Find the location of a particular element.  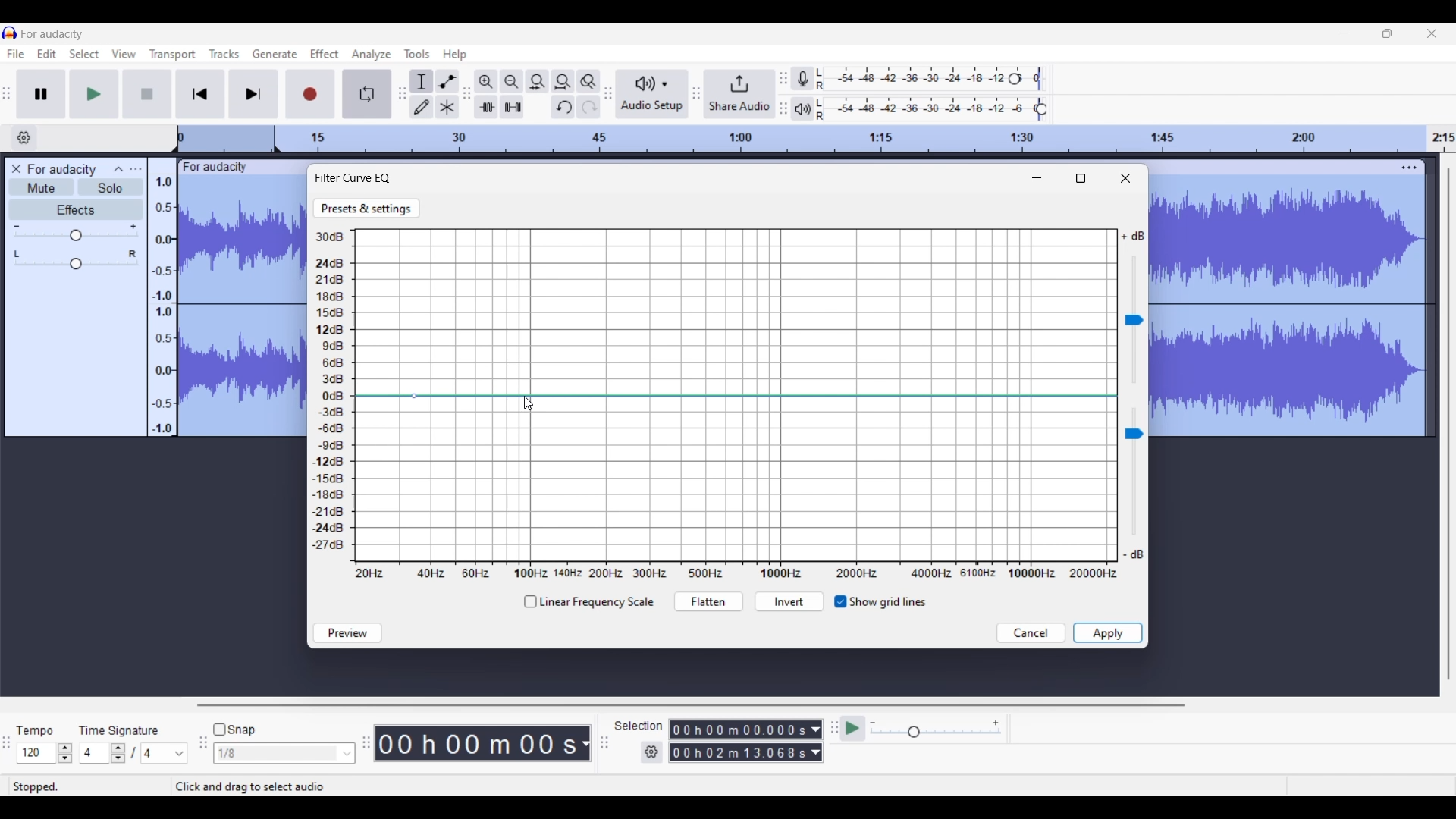

Snap option is located at coordinates (348, 754).